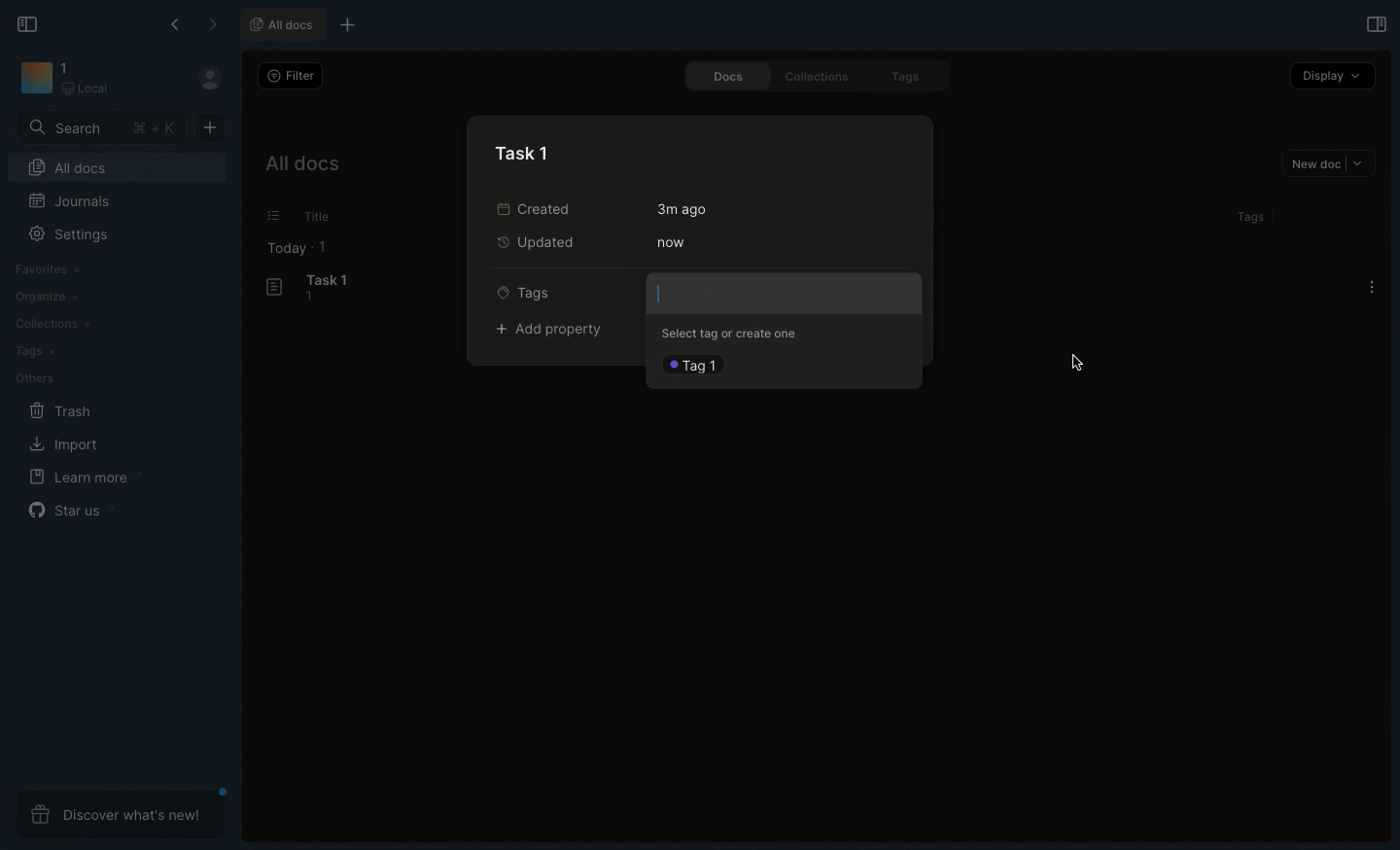 This screenshot has height=850, width=1400. What do you see at coordinates (87, 78) in the screenshot?
I see `1 Local` at bounding box center [87, 78].